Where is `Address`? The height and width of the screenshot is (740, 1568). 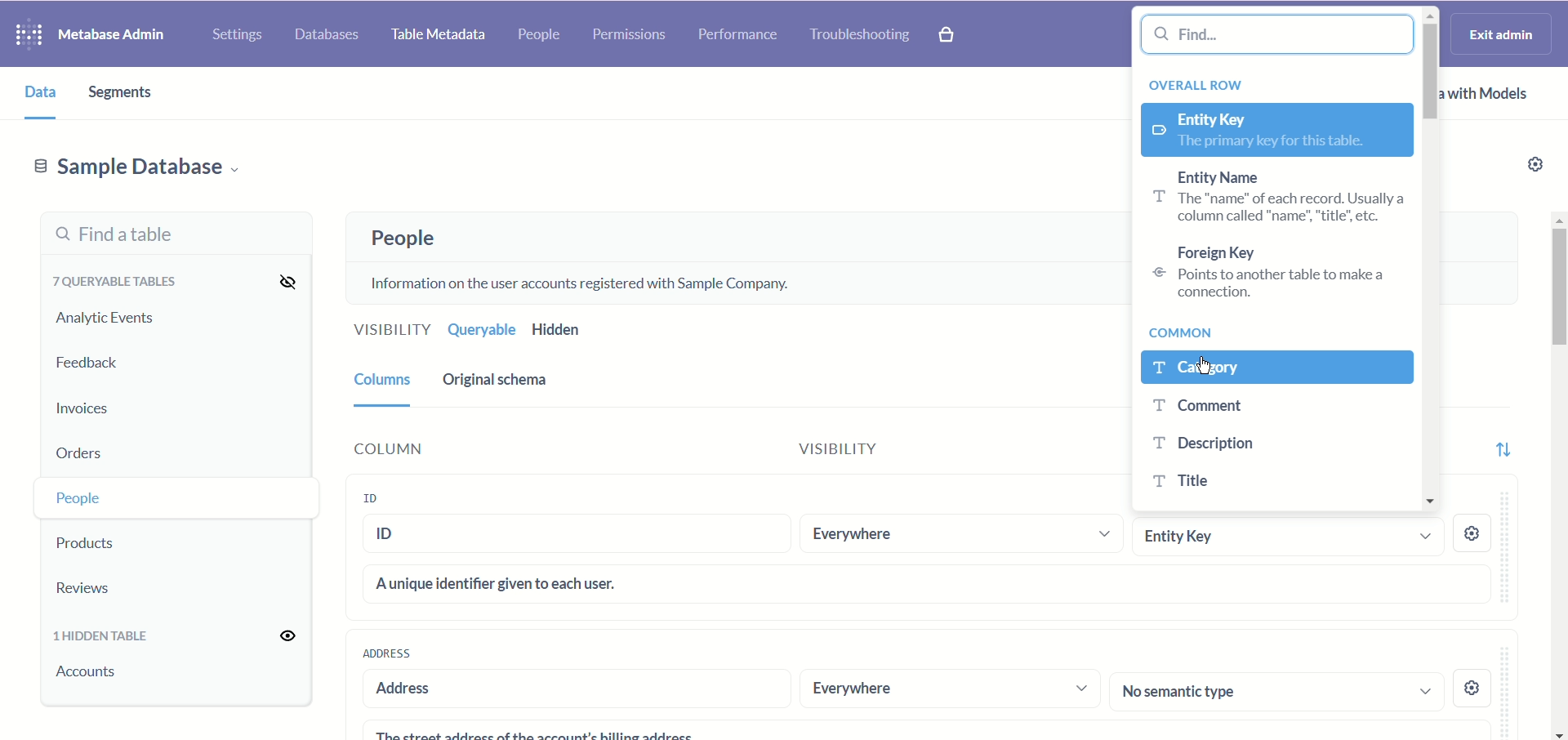
Address is located at coordinates (386, 653).